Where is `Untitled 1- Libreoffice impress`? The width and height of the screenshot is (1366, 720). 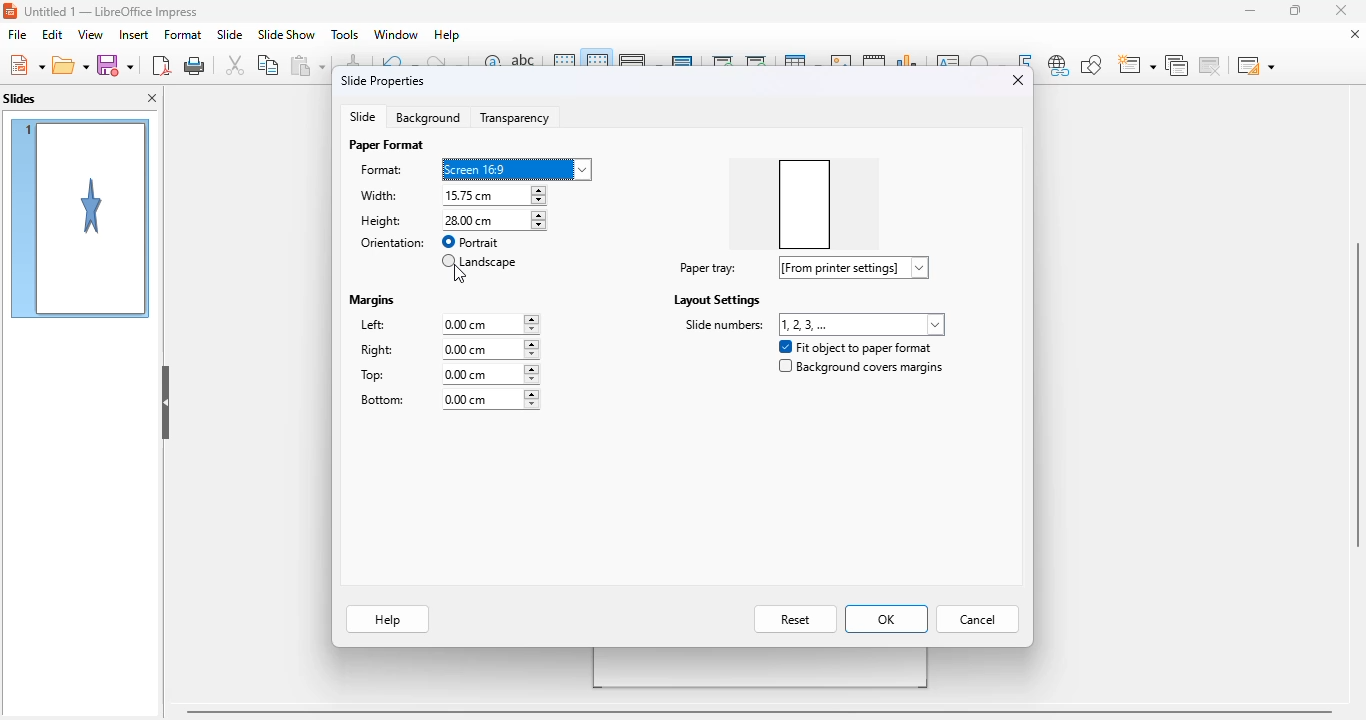
Untitled 1- Libreoffice impress is located at coordinates (111, 11).